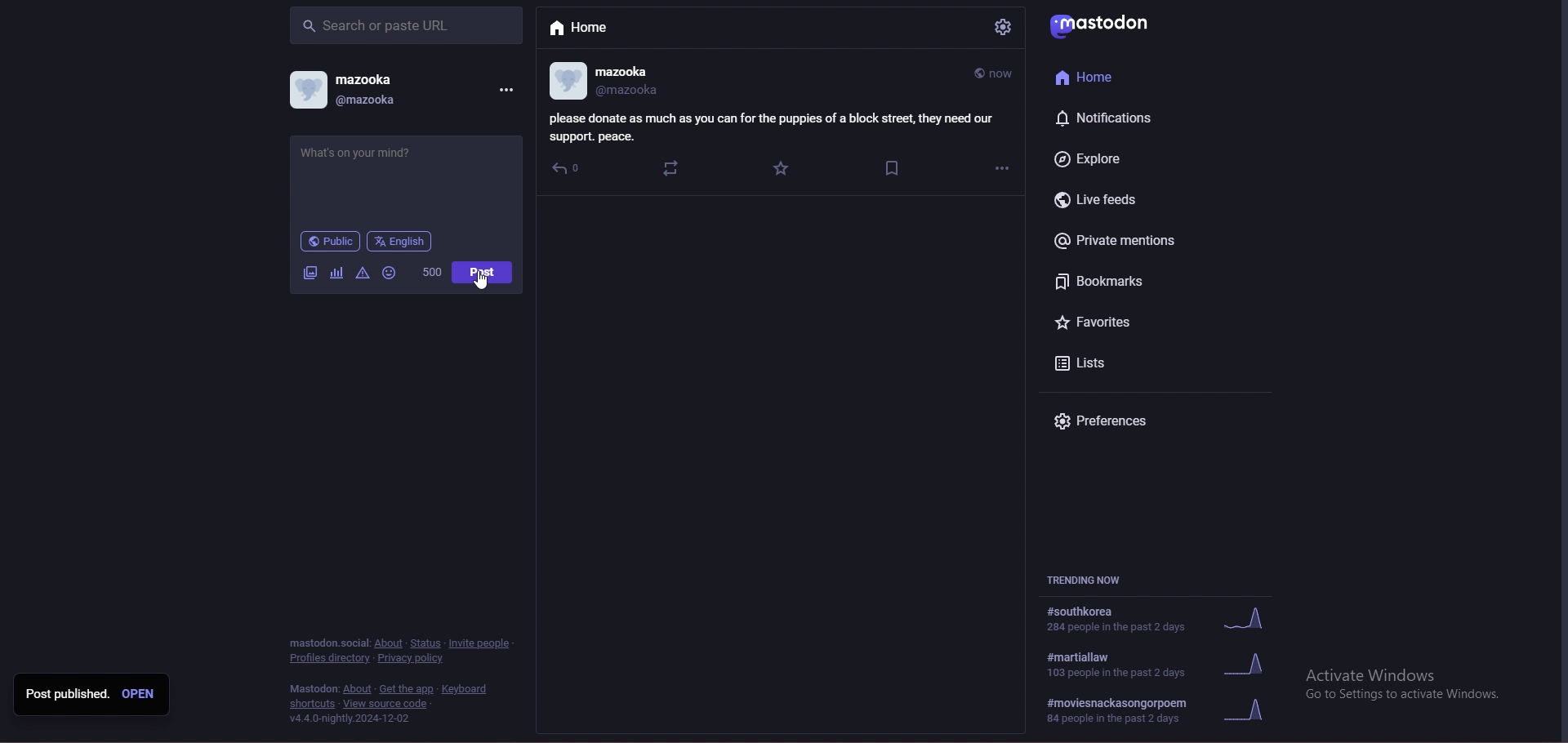 The width and height of the screenshot is (1568, 743). What do you see at coordinates (1107, 25) in the screenshot?
I see `mastodon` at bounding box center [1107, 25].